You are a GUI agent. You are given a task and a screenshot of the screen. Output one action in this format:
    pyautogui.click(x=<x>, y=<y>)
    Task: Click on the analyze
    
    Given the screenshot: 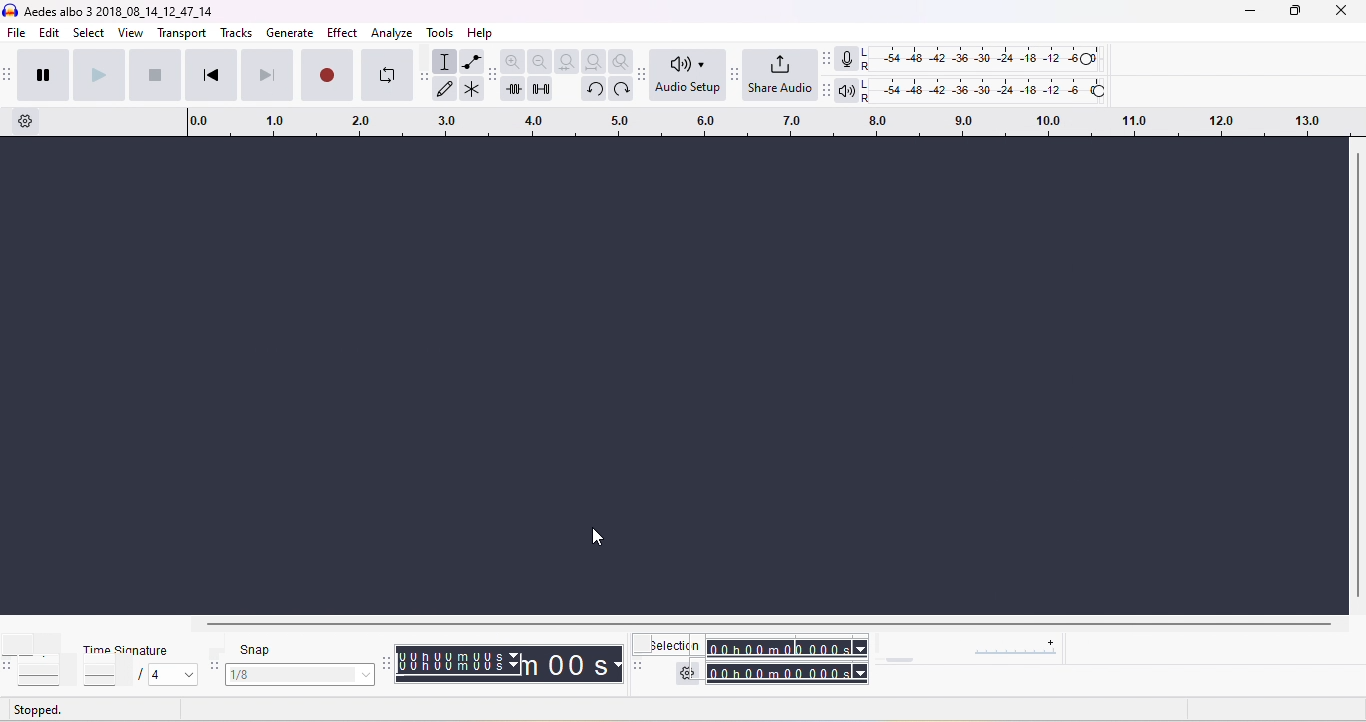 What is the action you would take?
    pyautogui.click(x=392, y=32)
    